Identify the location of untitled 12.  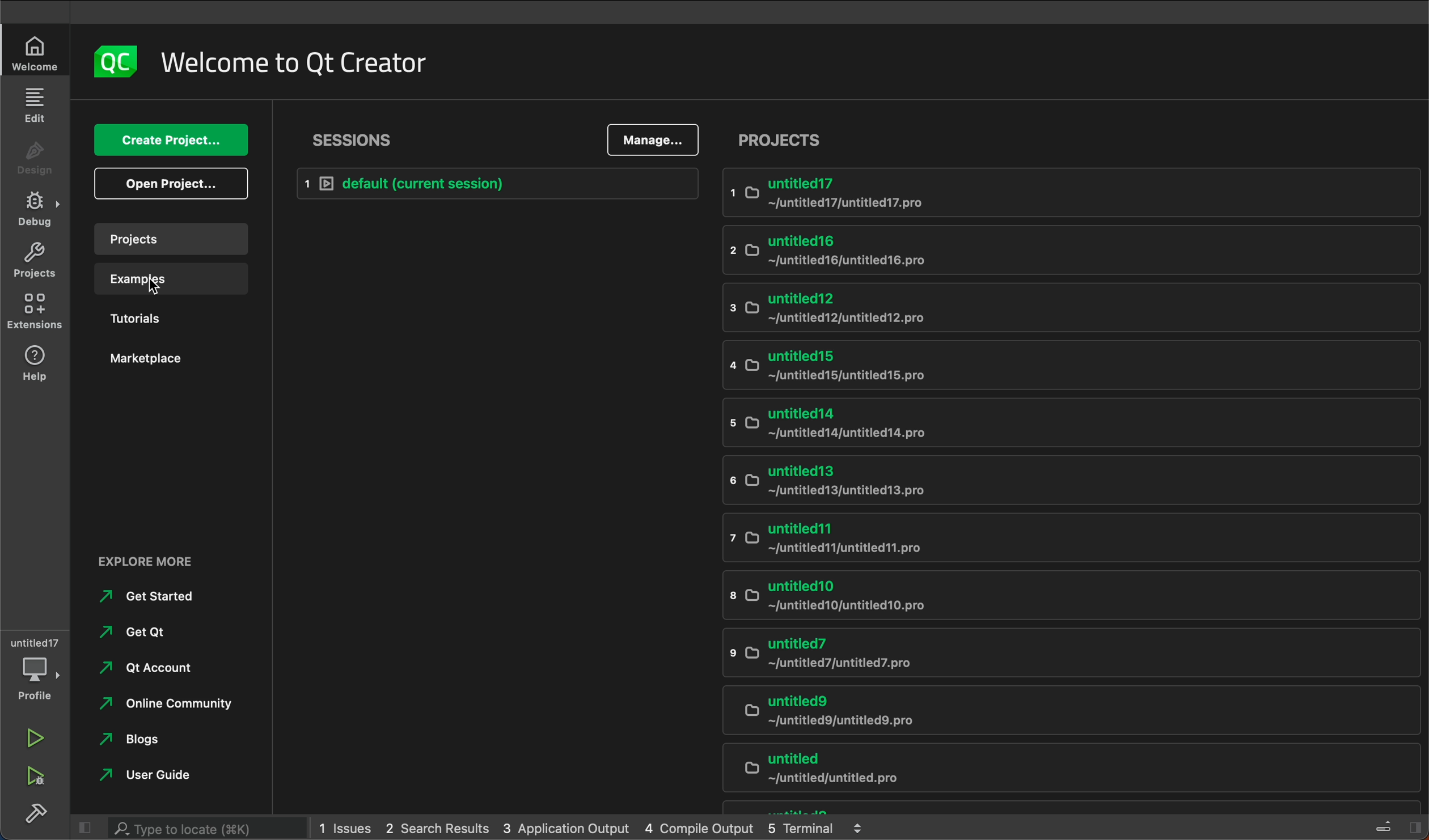
(1070, 306).